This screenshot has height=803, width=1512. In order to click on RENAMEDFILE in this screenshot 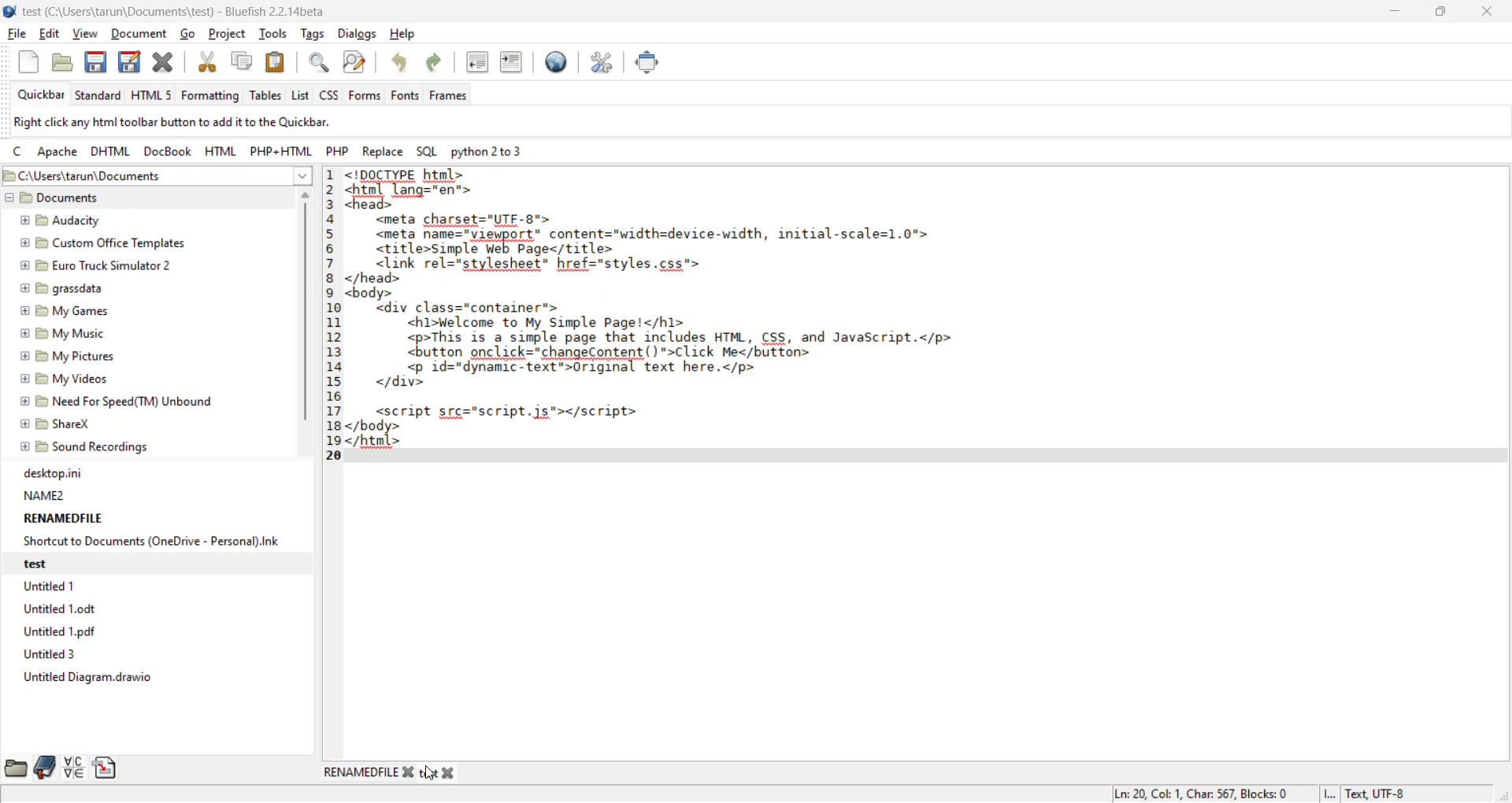, I will do `click(63, 516)`.